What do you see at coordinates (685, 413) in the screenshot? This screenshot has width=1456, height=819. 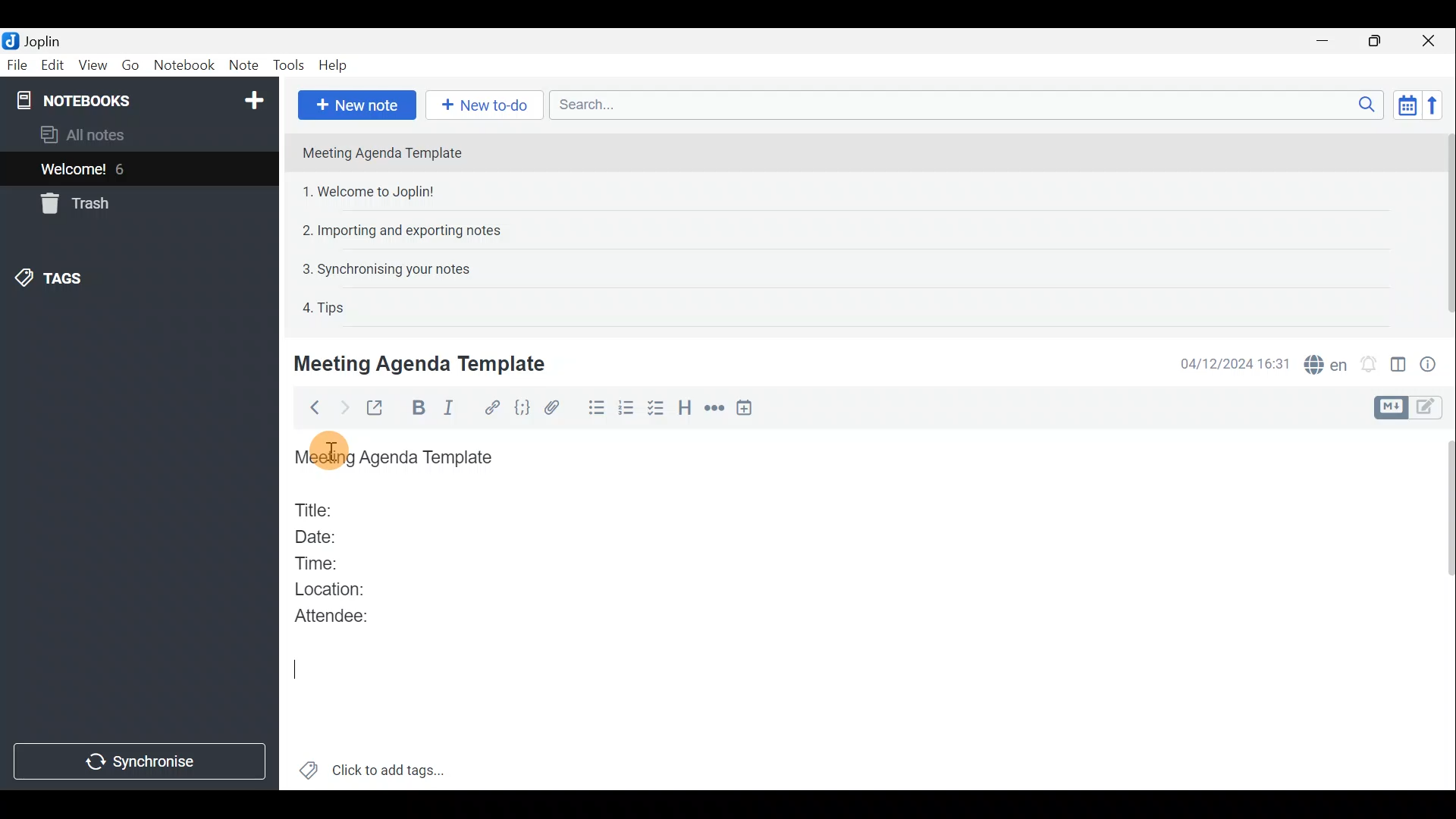 I see `Heading` at bounding box center [685, 413].